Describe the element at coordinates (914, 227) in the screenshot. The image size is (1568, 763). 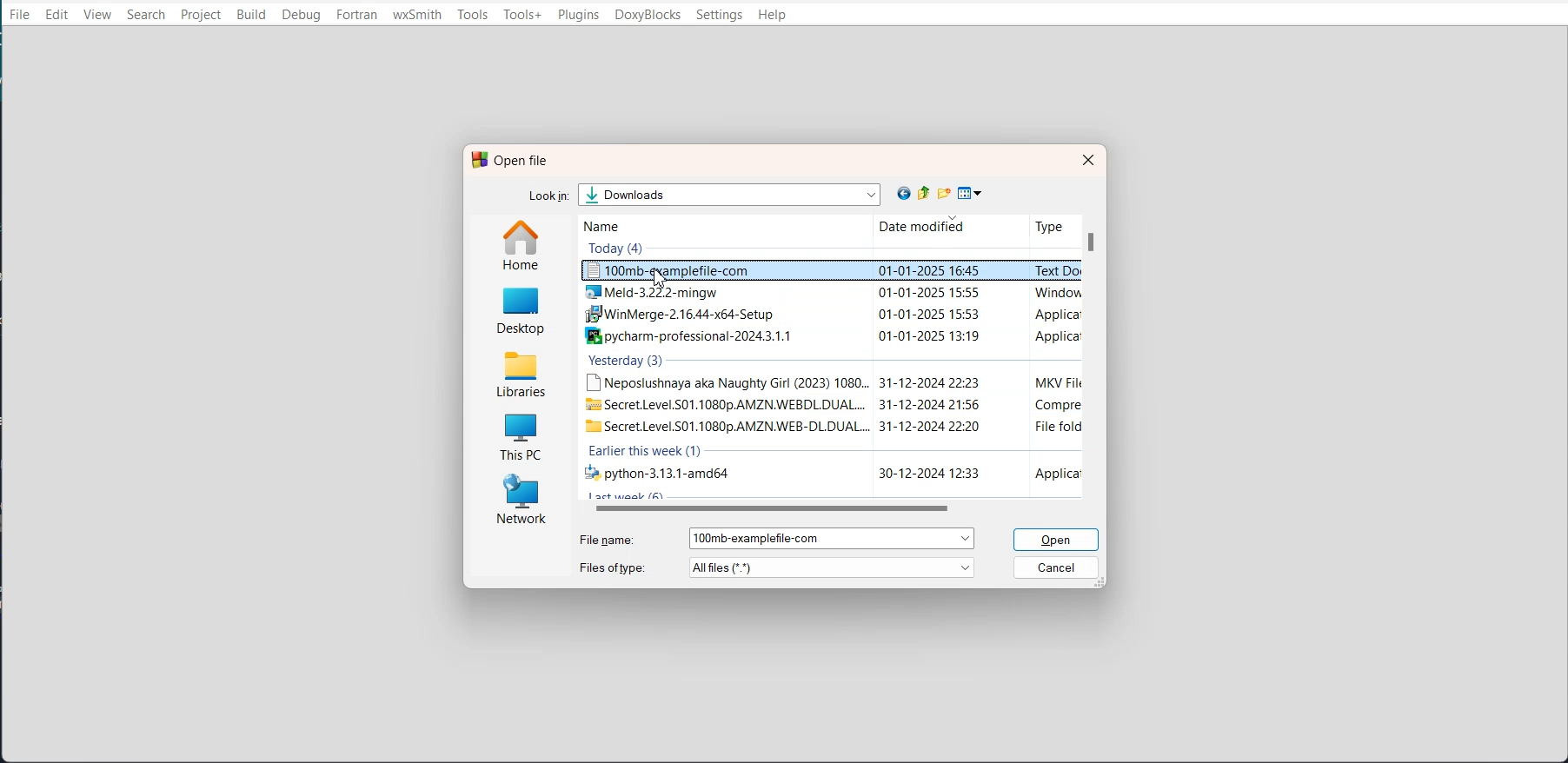
I see `Date modified` at that location.